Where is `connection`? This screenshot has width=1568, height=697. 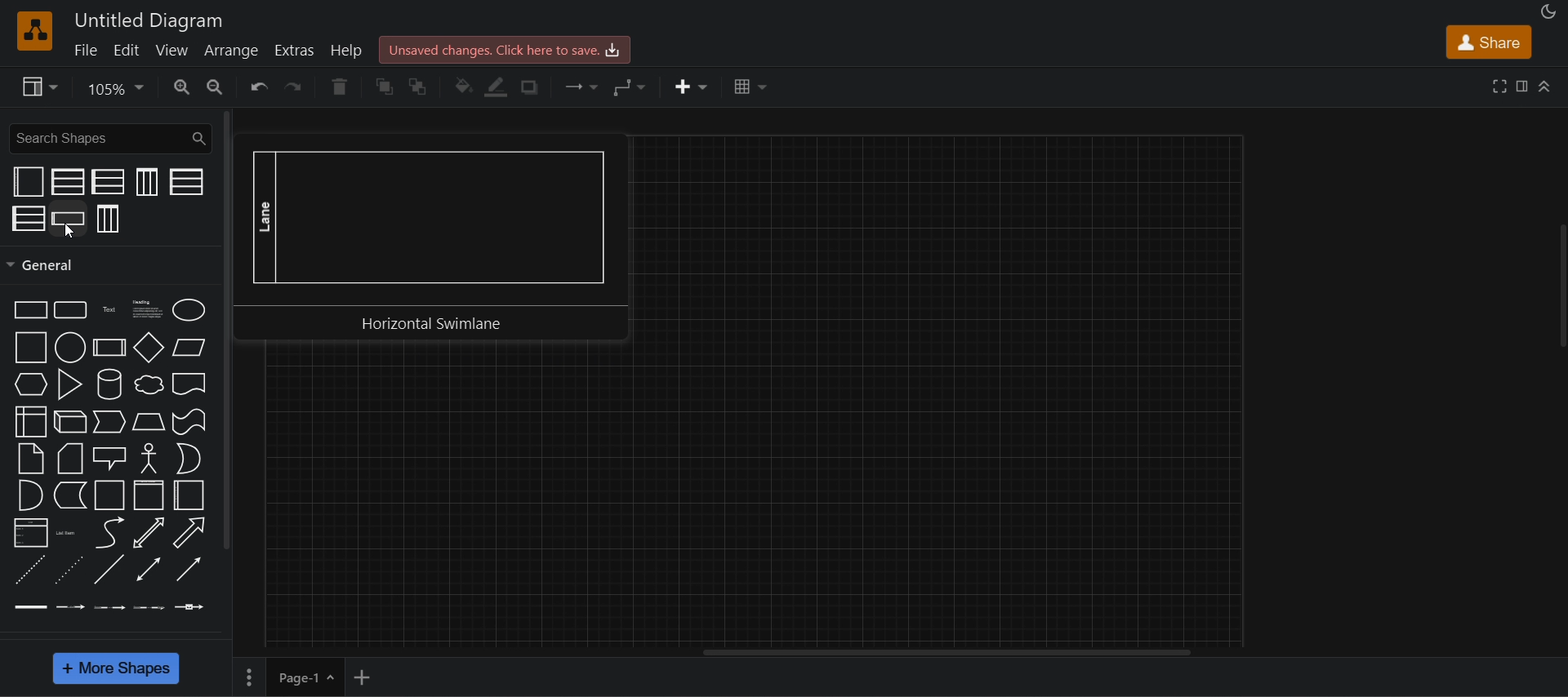 connection is located at coordinates (584, 87).